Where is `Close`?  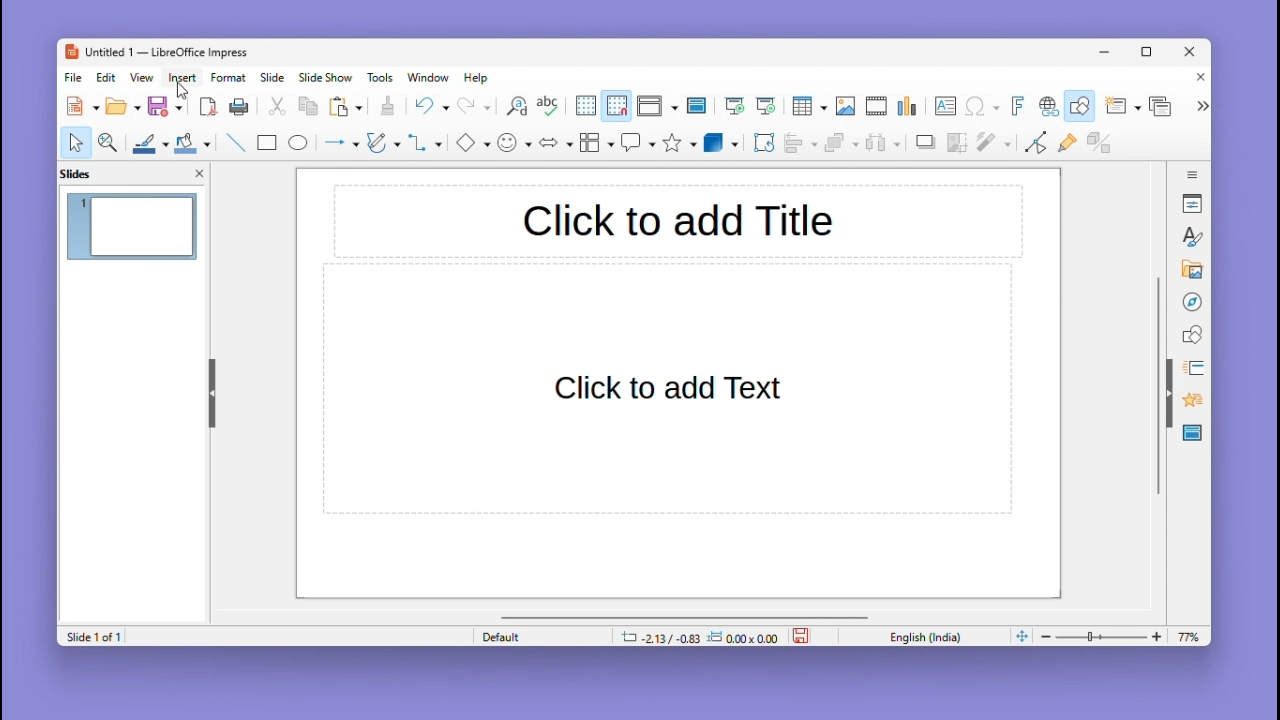
Close is located at coordinates (1196, 79).